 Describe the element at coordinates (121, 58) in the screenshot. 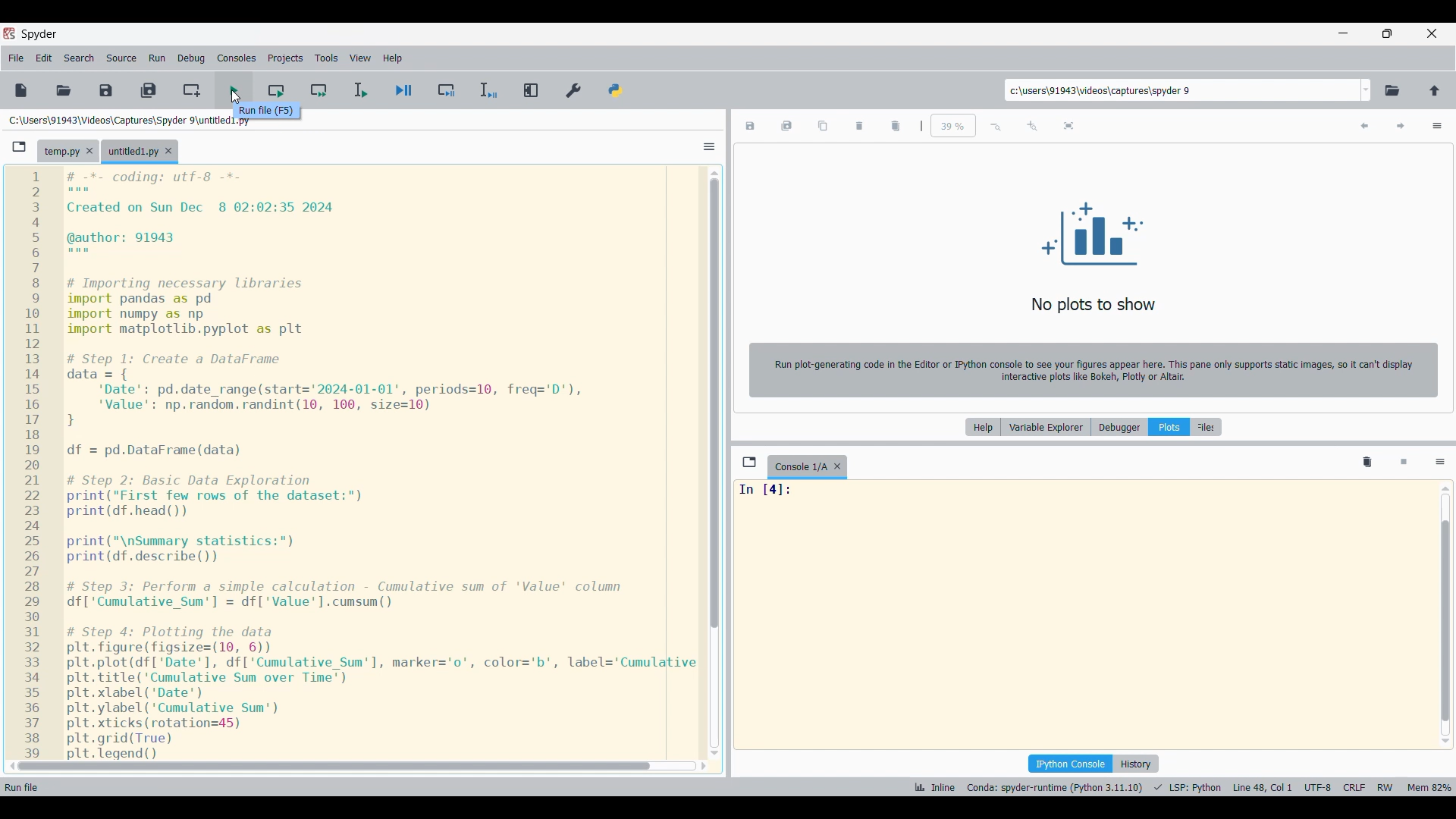

I see `Source menu` at that location.